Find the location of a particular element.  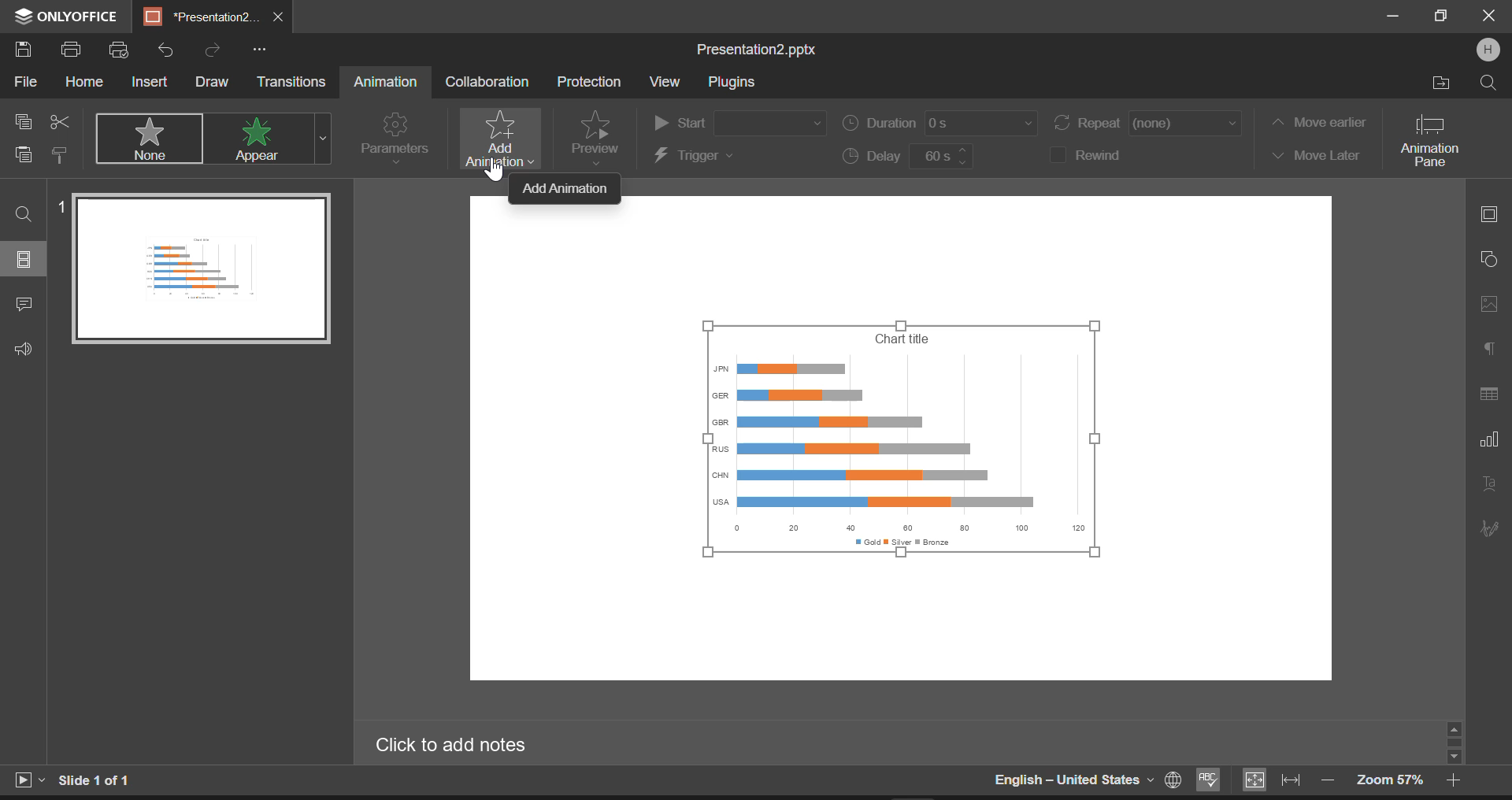

Restore Down is located at coordinates (1395, 17).